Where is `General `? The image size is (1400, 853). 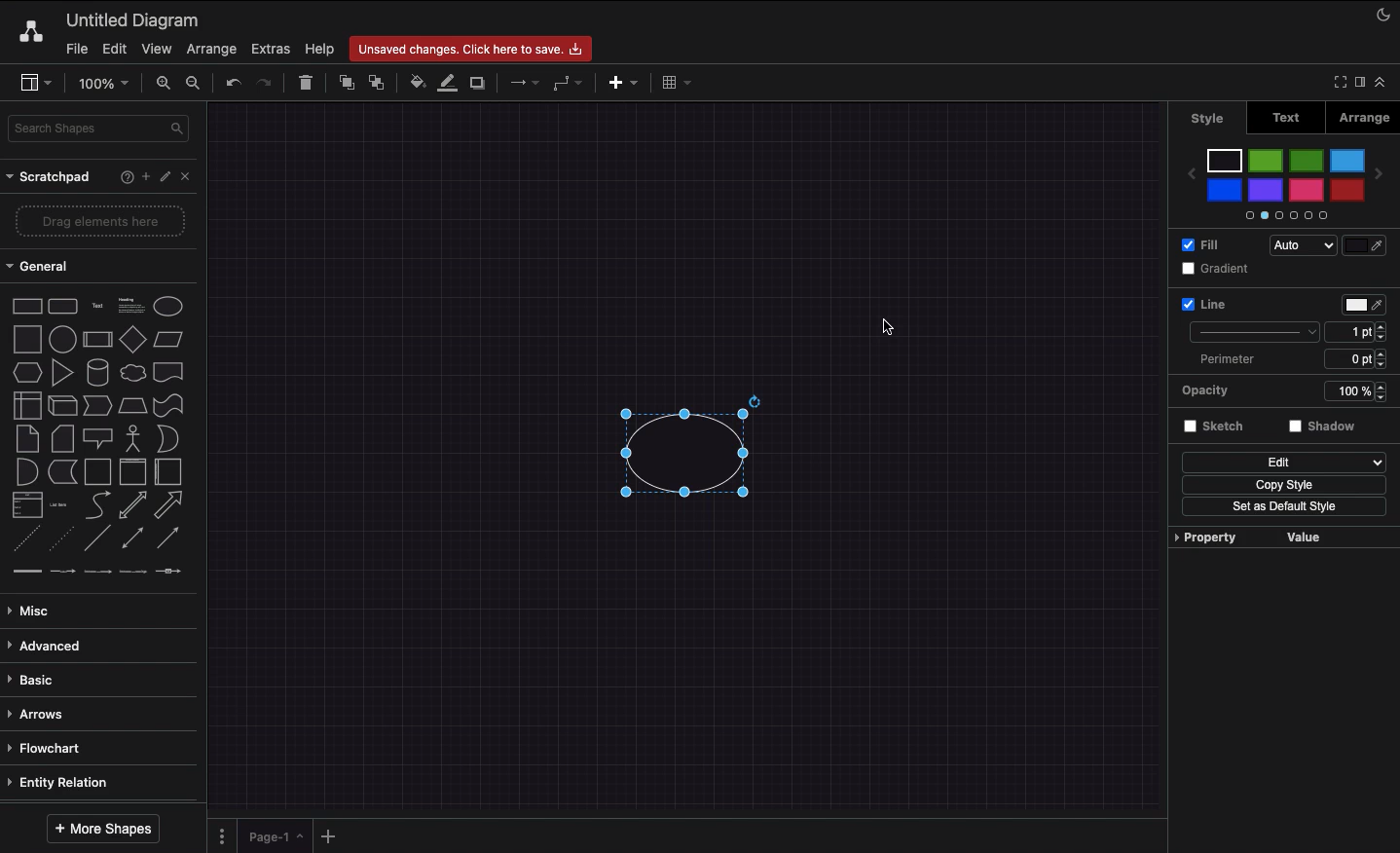 General  is located at coordinates (49, 267).